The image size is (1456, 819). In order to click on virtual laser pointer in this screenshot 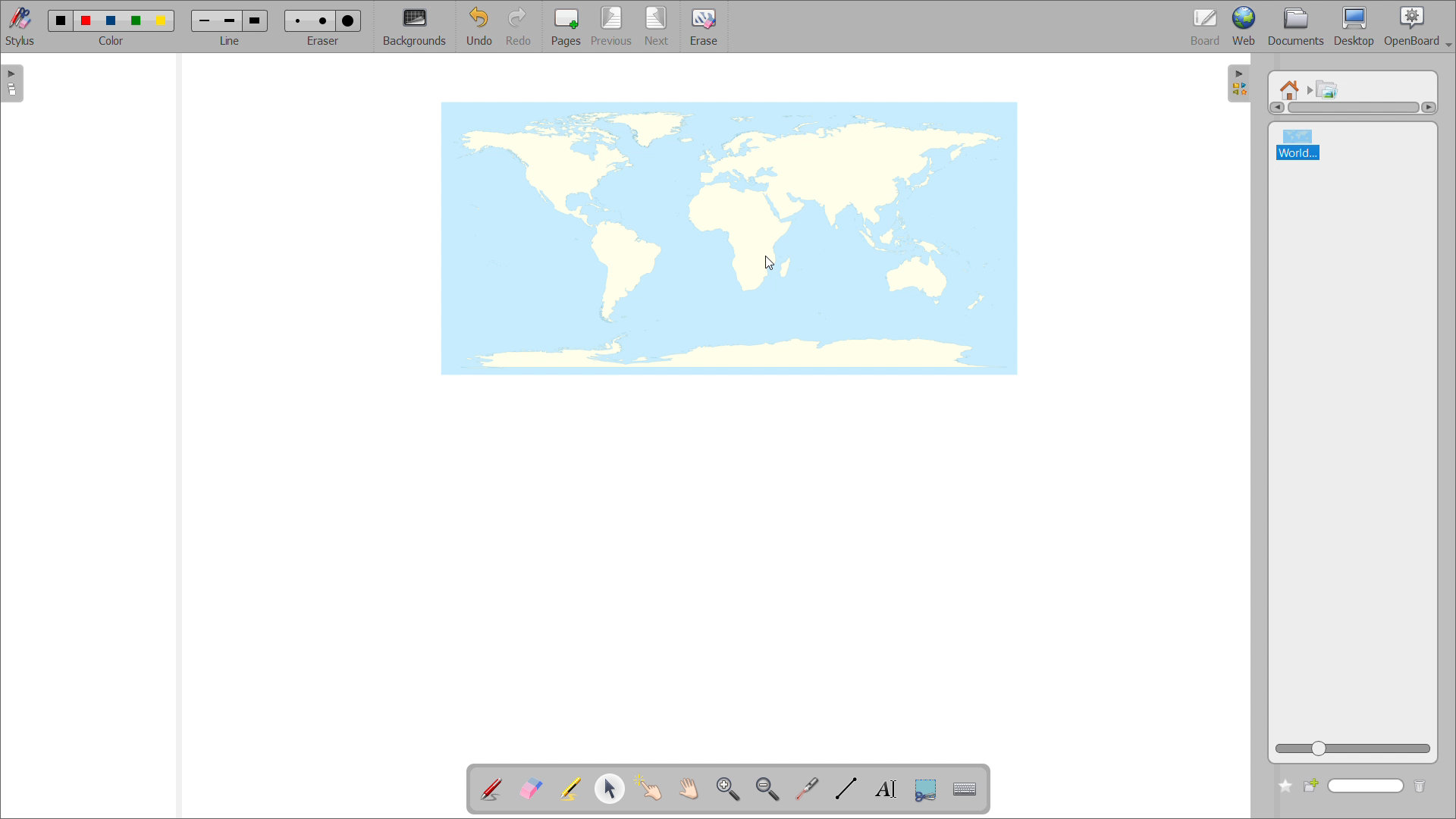, I will do `click(806, 788)`.